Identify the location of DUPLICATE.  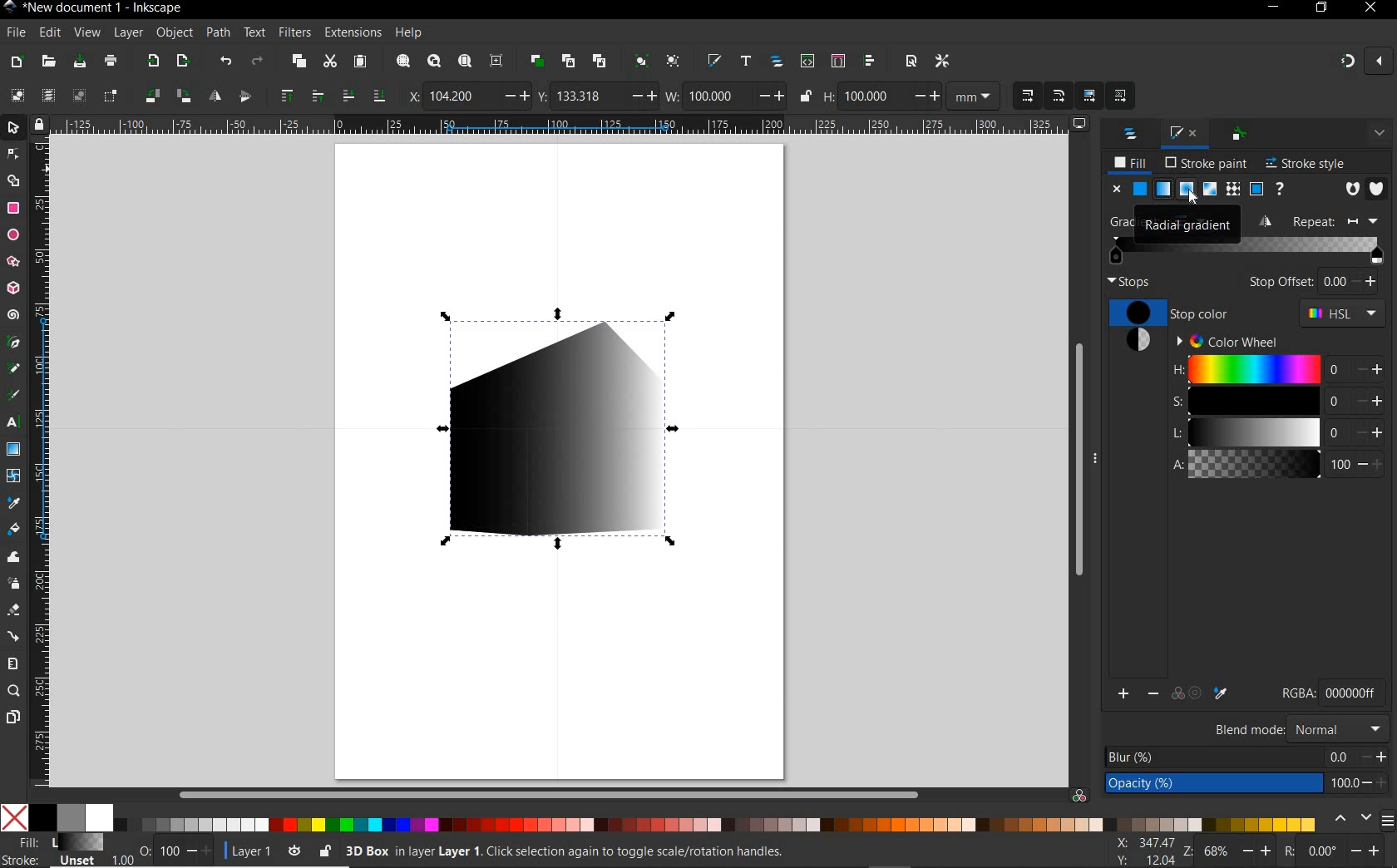
(536, 61).